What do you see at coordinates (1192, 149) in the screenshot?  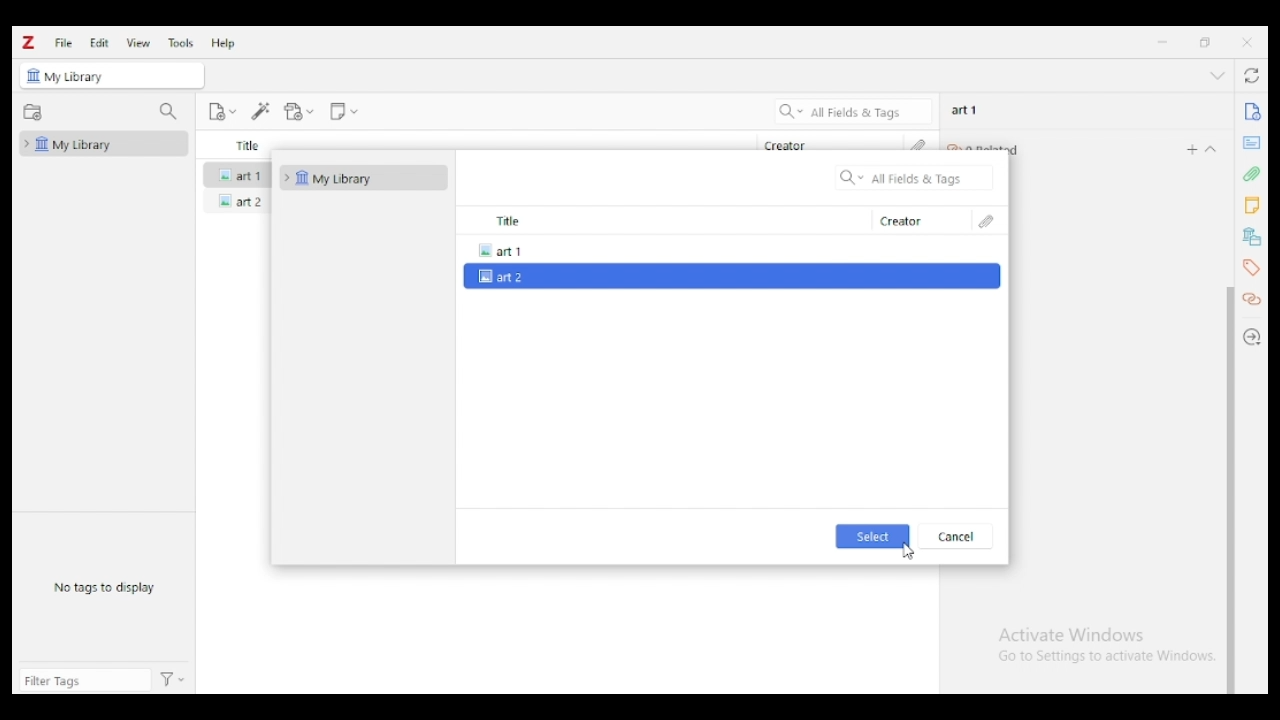 I see `add` at bounding box center [1192, 149].